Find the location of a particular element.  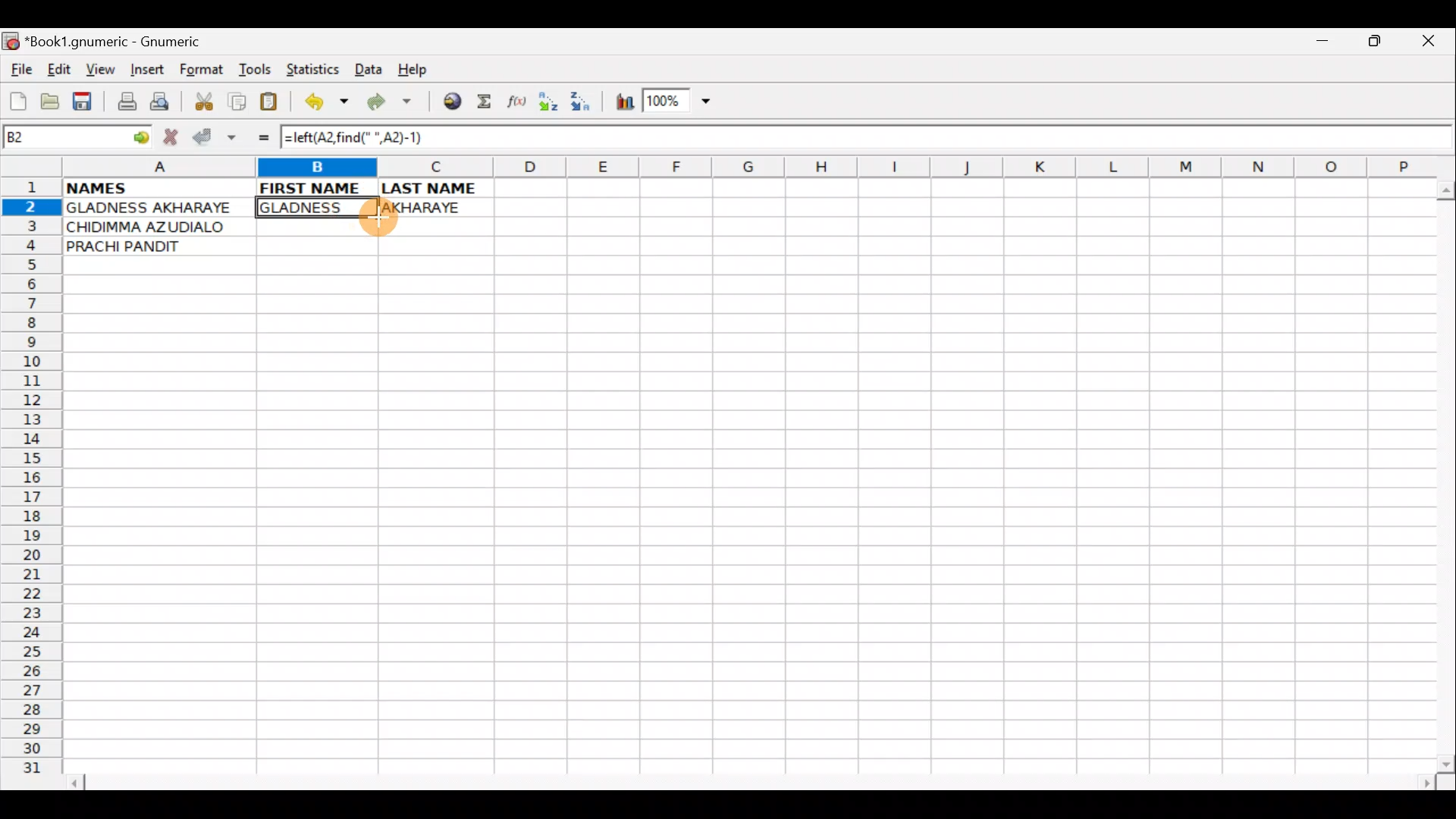

Paste clipboard is located at coordinates (274, 104).